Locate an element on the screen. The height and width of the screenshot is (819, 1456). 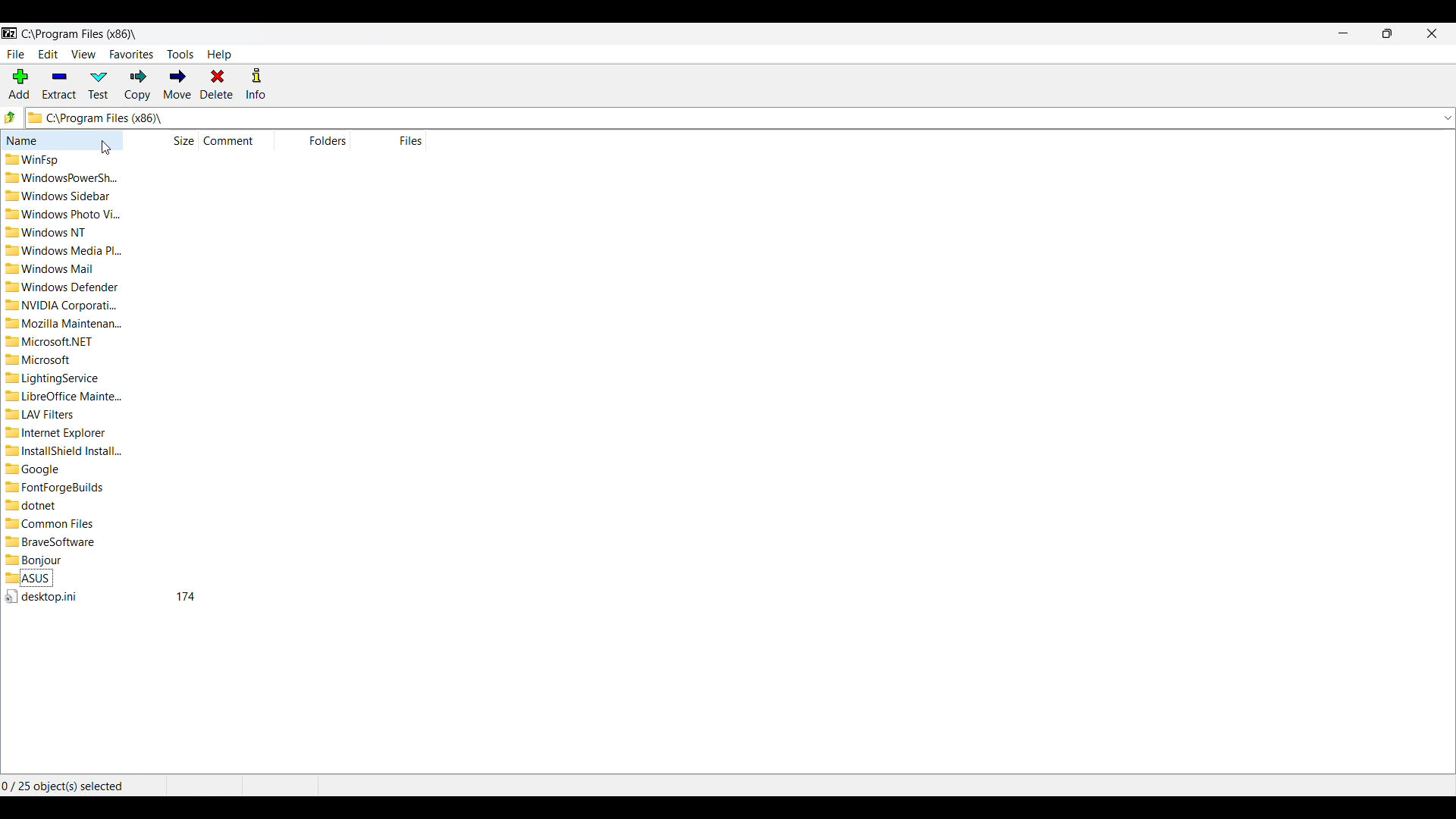
LAV Filters is located at coordinates (44, 415).